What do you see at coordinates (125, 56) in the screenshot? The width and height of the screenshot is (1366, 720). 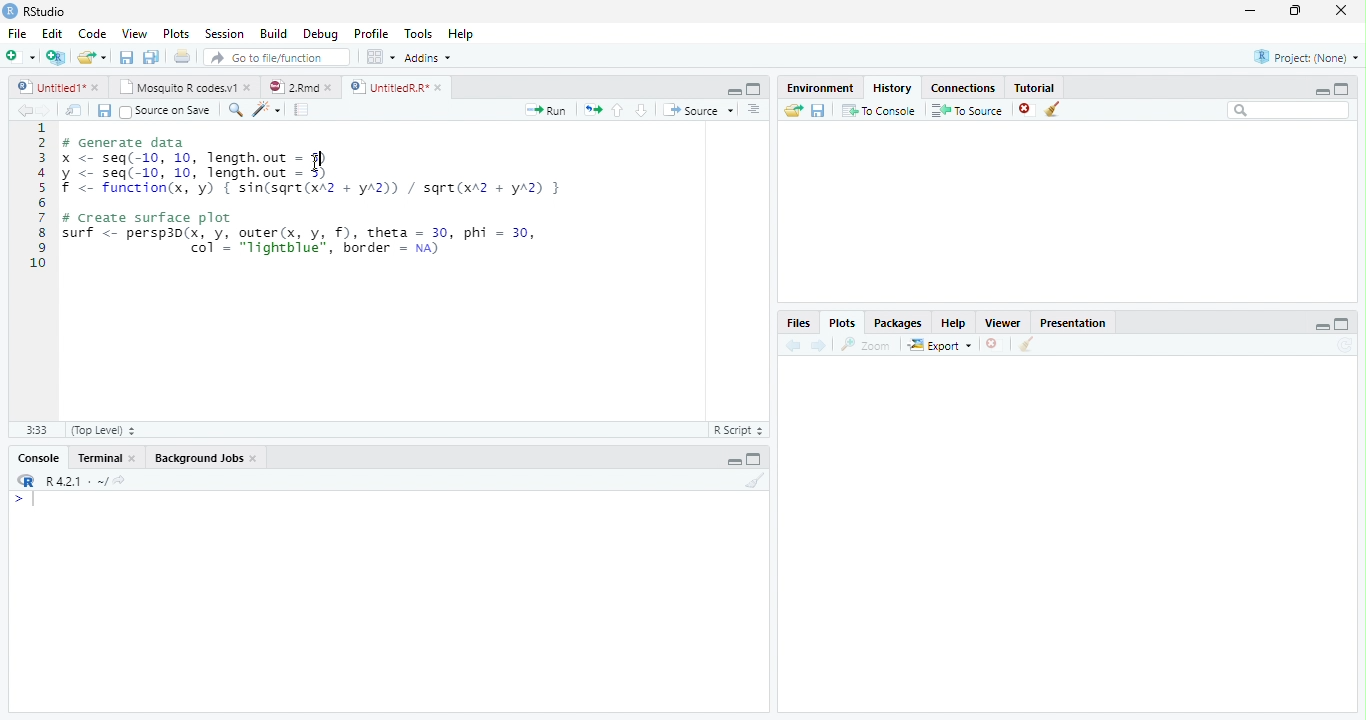 I see `Save current document` at bounding box center [125, 56].